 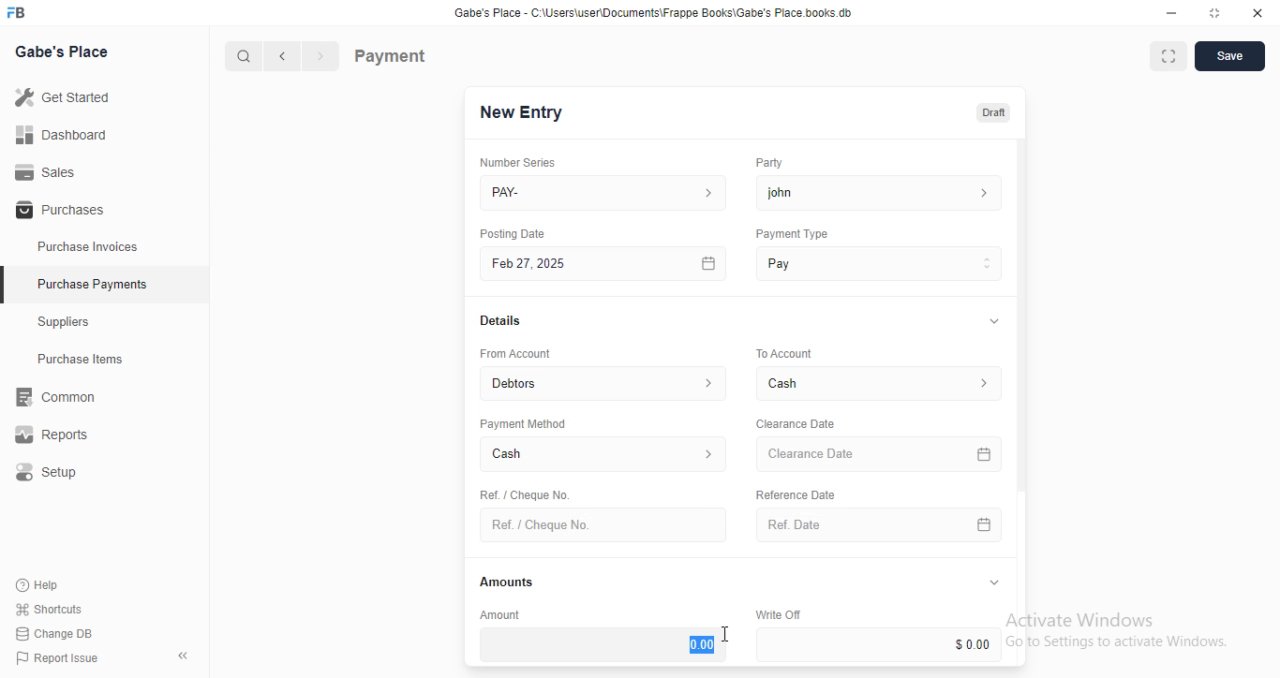 What do you see at coordinates (514, 233) in the screenshot?
I see `Posting Date` at bounding box center [514, 233].